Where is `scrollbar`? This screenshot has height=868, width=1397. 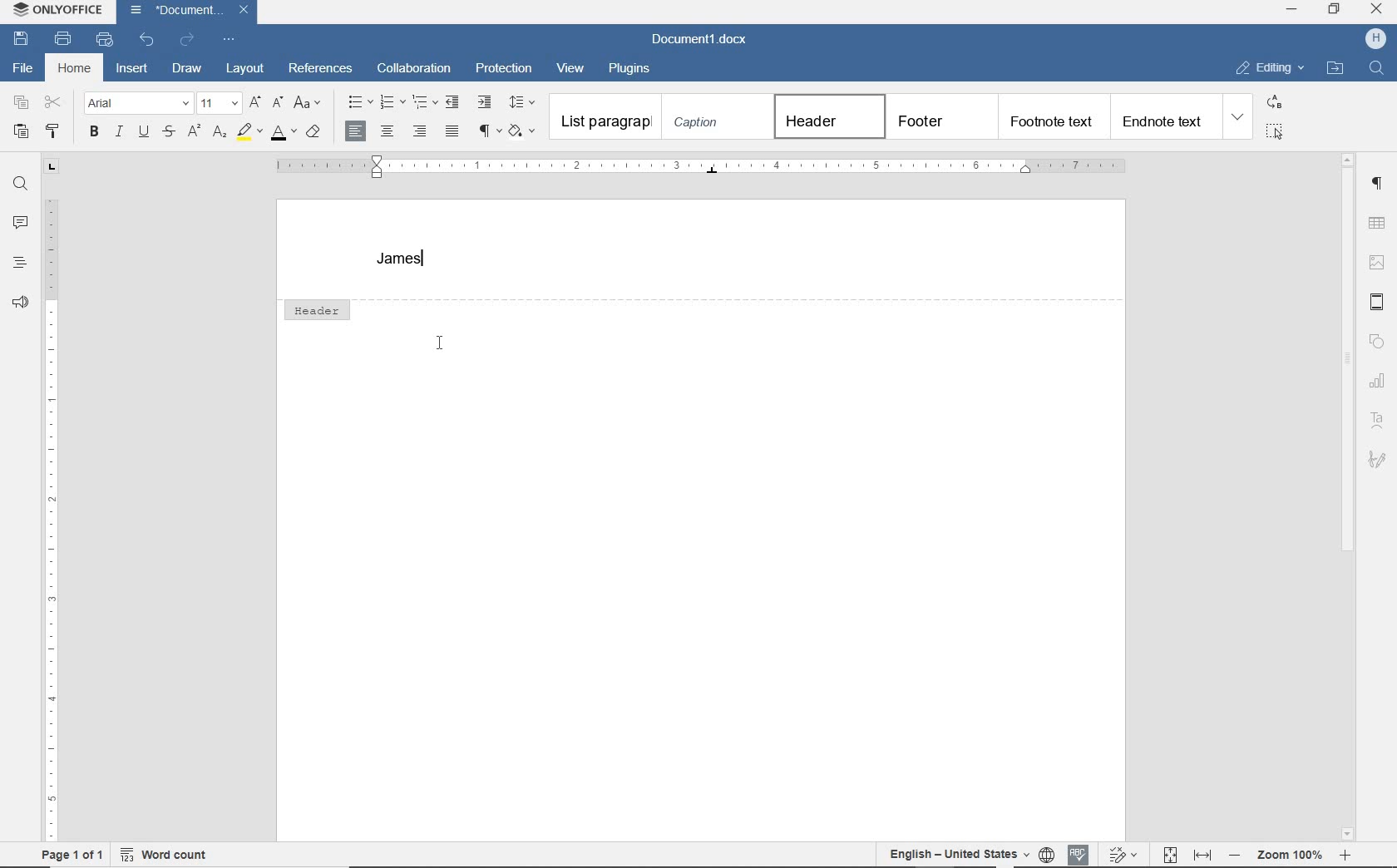 scrollbar is located at coordinates (1348, 496).